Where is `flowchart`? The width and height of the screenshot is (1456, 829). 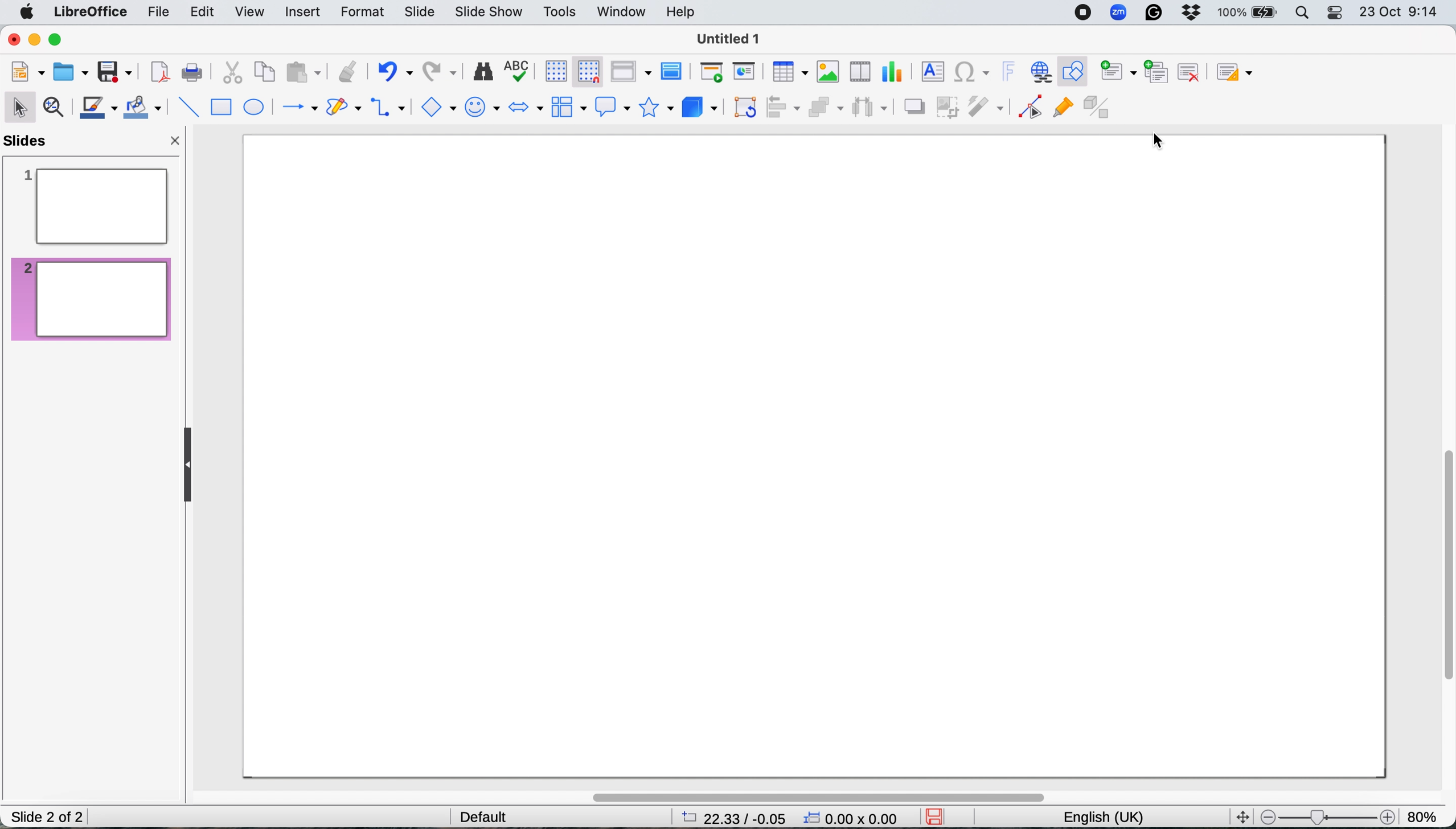
flowchart is located at coordinates (567, 108).